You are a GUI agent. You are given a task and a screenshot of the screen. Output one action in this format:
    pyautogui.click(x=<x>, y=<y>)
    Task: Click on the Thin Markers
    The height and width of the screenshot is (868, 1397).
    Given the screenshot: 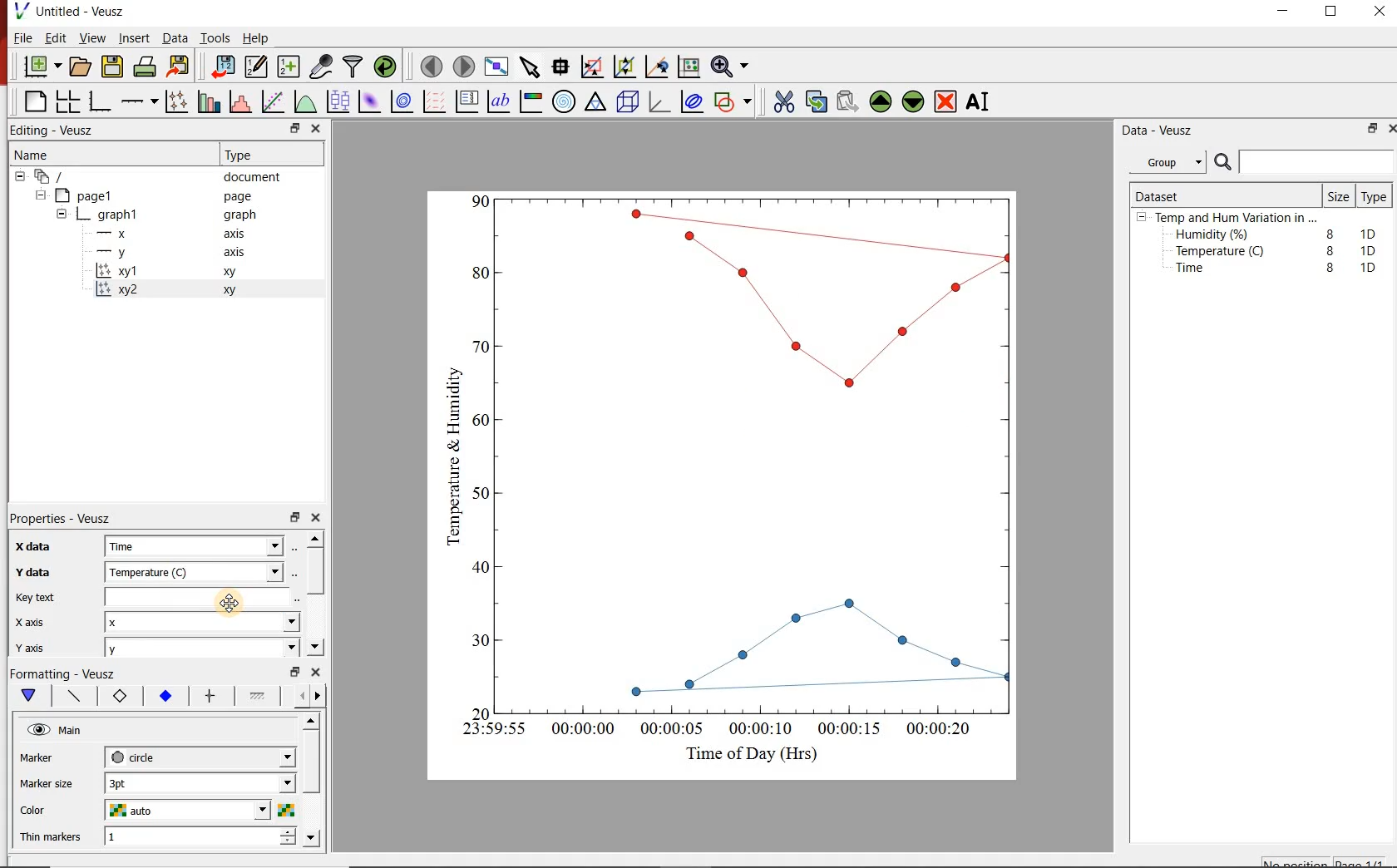 What is the action you would take?
    pyautogui.click(x=53, y=838)
    